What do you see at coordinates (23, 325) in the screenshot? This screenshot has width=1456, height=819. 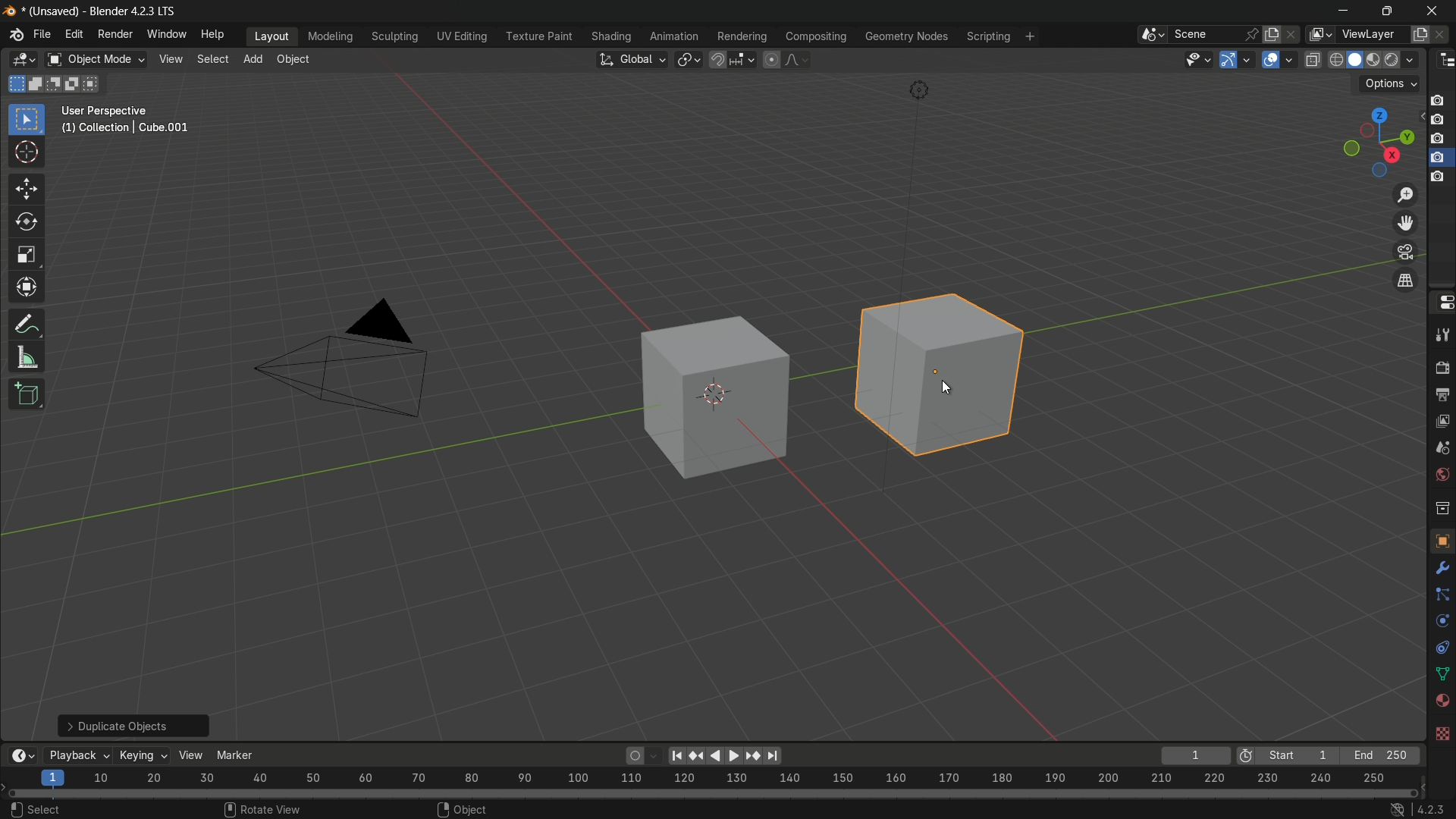 I see `annotate` at bounding box center [23, 325].